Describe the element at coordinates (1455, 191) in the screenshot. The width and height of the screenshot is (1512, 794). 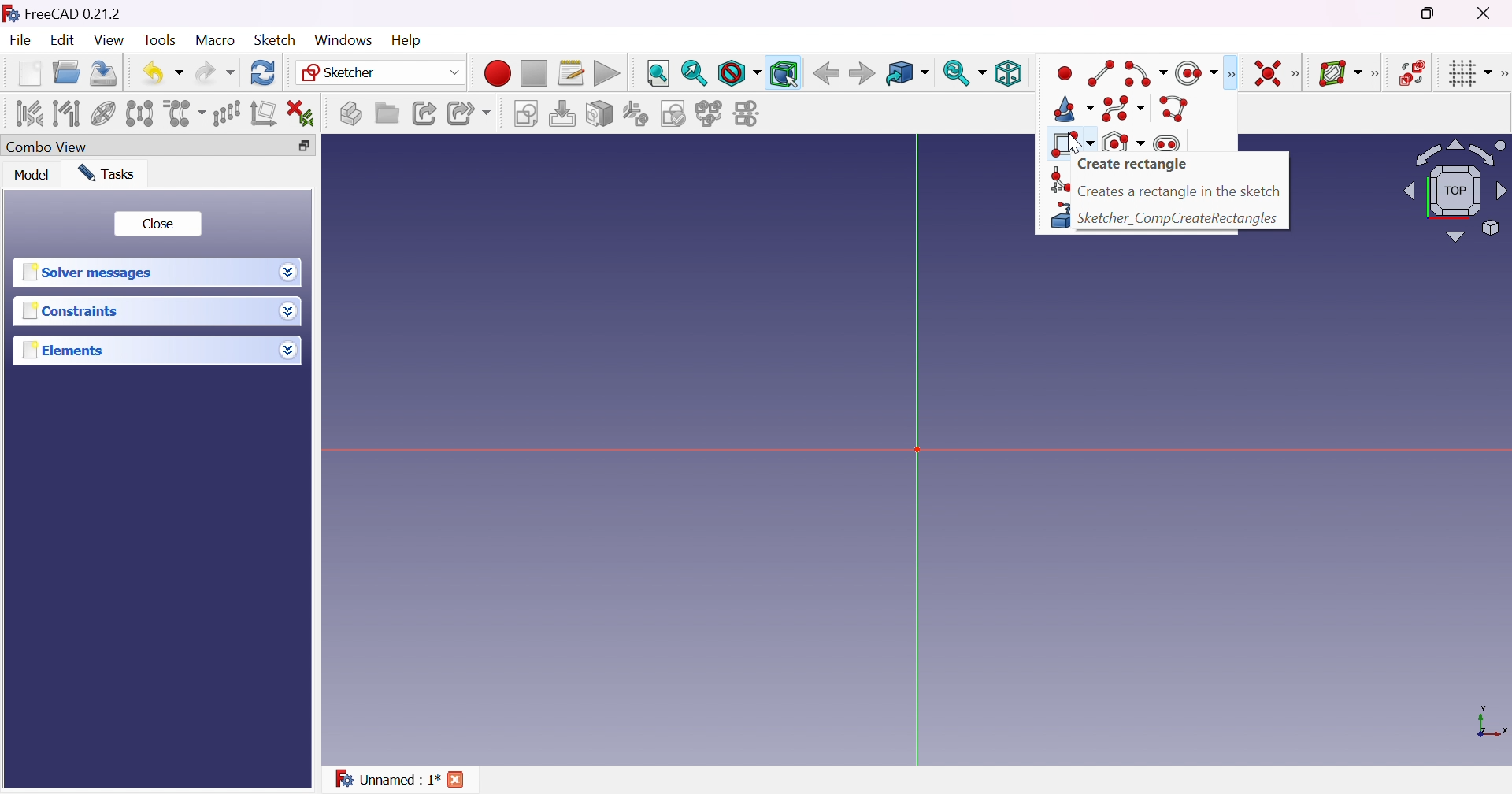
I see `Viewing angle` at that location.